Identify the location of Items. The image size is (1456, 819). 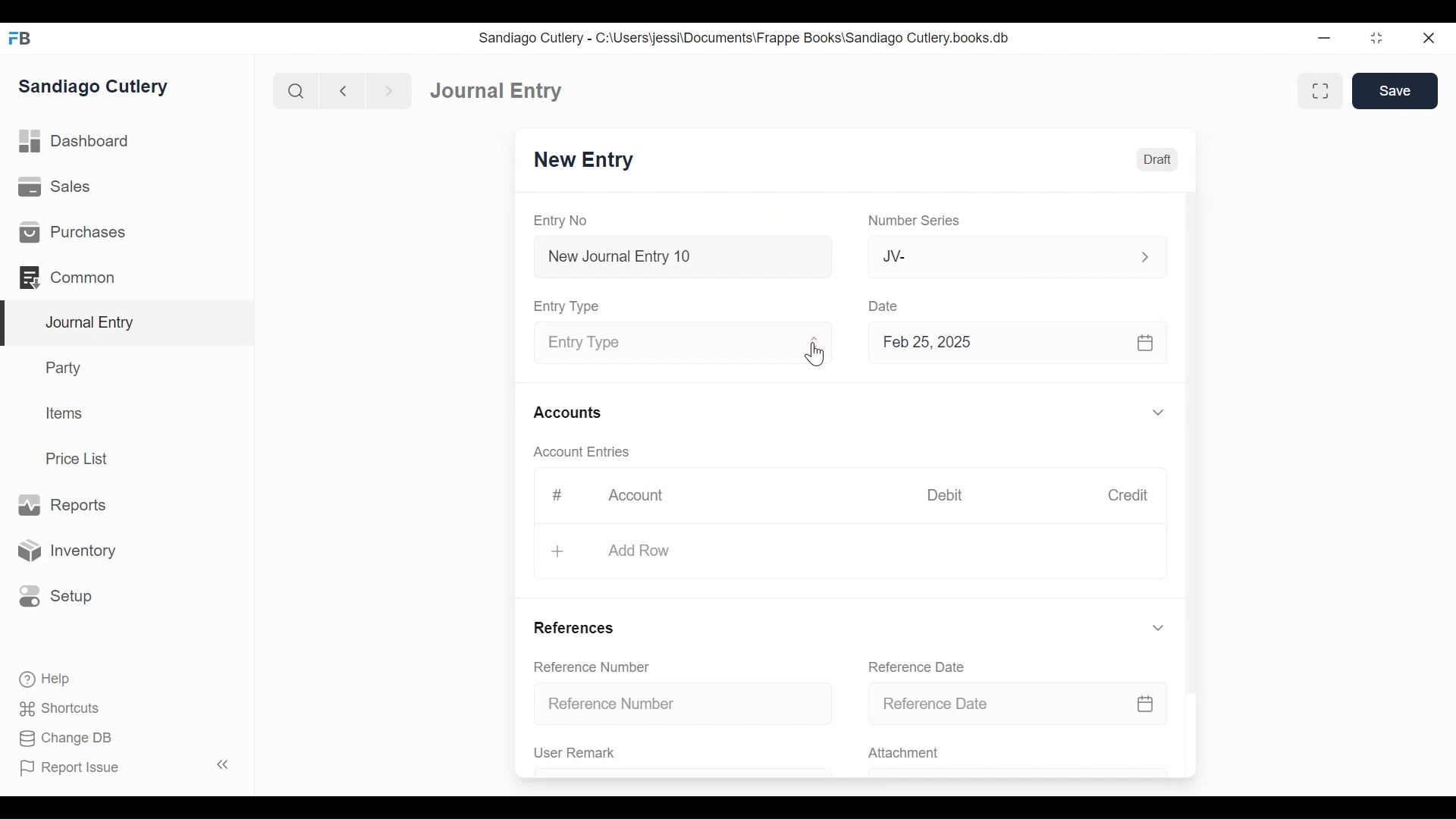
(66, 415).